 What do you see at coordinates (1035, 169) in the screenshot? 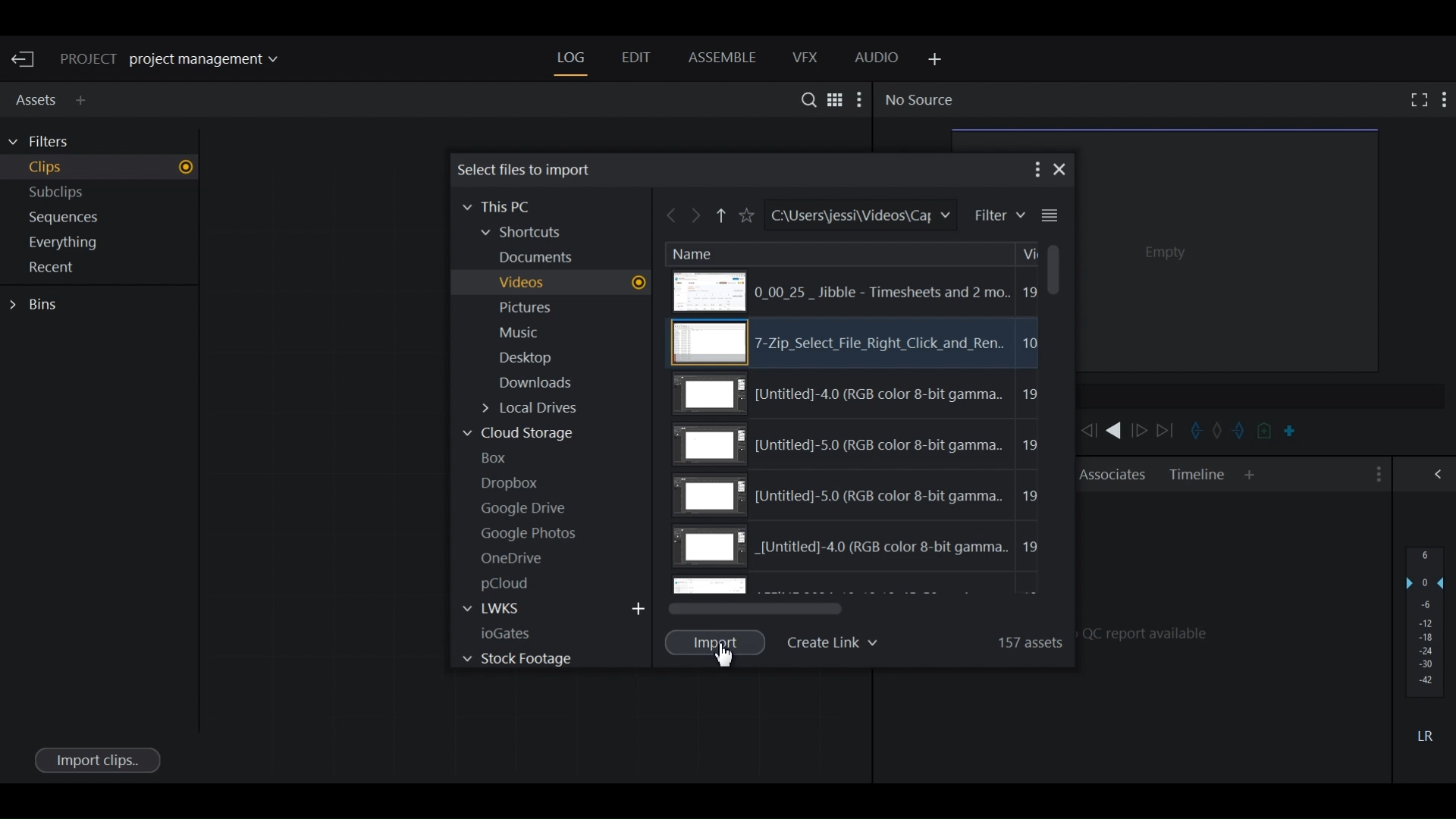
I see `Show settings menu` at bounding box center [1035, 169].